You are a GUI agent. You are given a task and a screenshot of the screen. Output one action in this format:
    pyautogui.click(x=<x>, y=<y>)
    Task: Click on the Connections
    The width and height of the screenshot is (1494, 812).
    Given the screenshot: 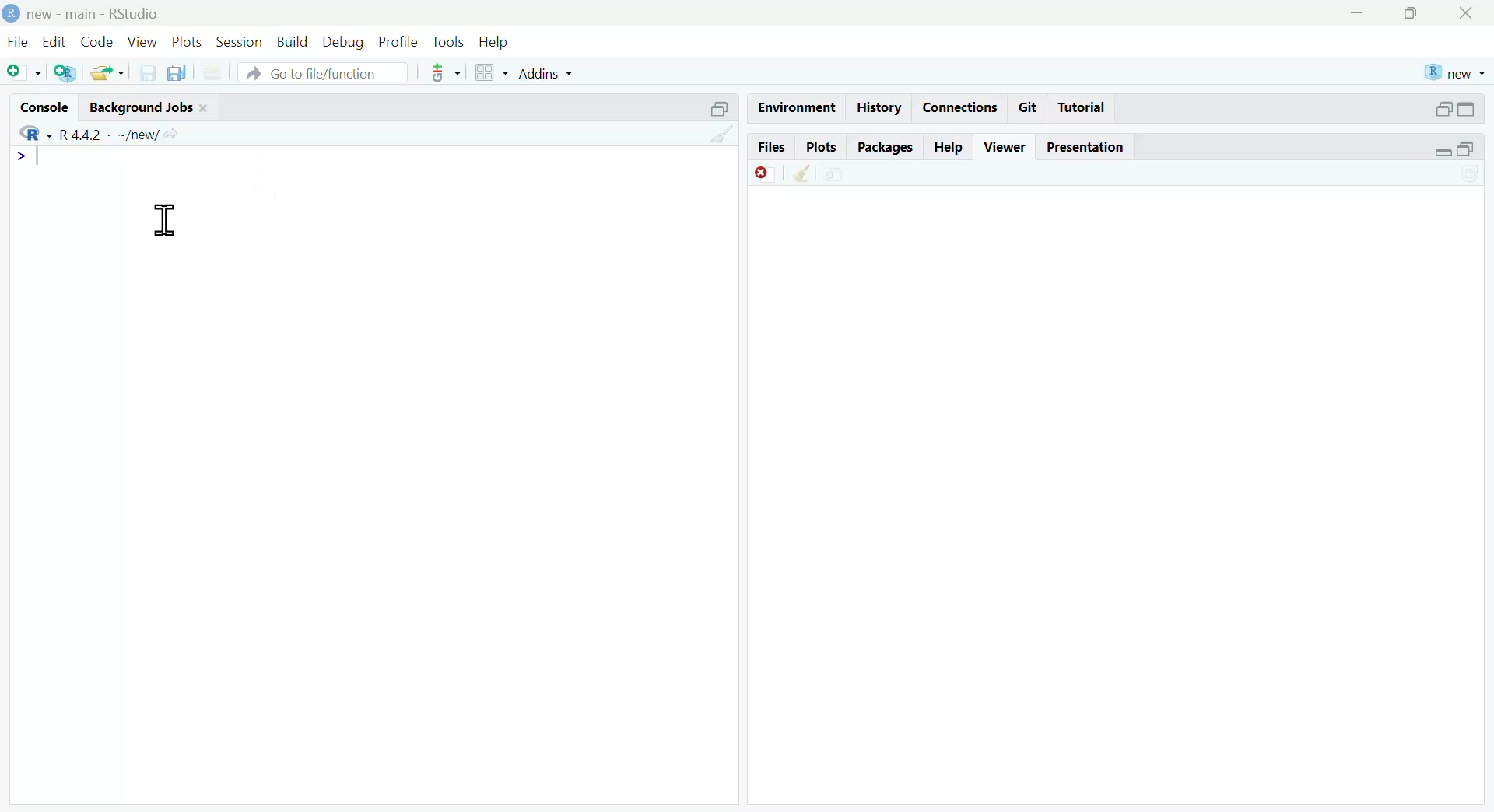 What is the action you would take?
    pyautogui.click(x=963, y=105)
    